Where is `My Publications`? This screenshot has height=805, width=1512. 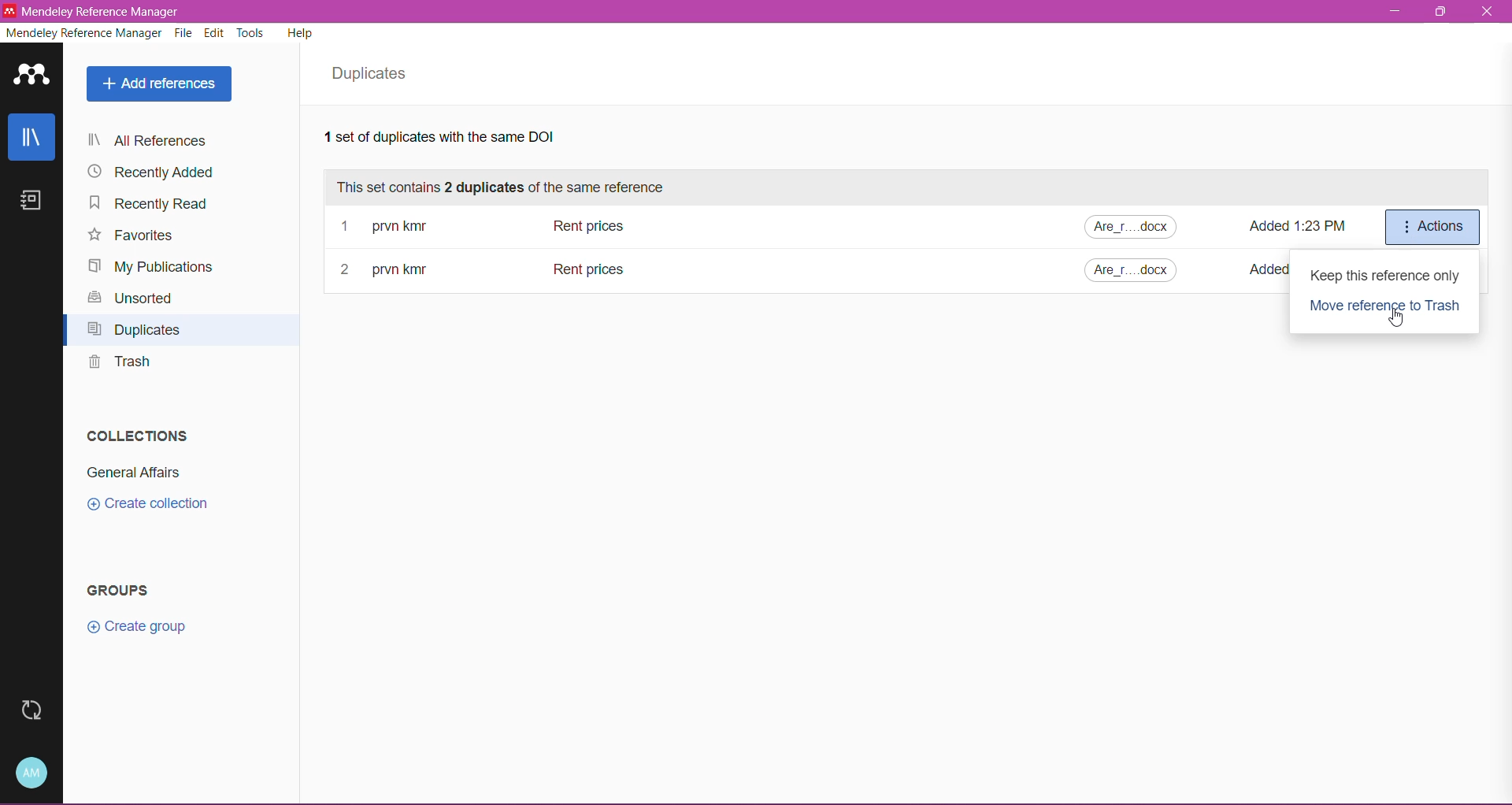 My Publications is located at coordinates (152, 266).